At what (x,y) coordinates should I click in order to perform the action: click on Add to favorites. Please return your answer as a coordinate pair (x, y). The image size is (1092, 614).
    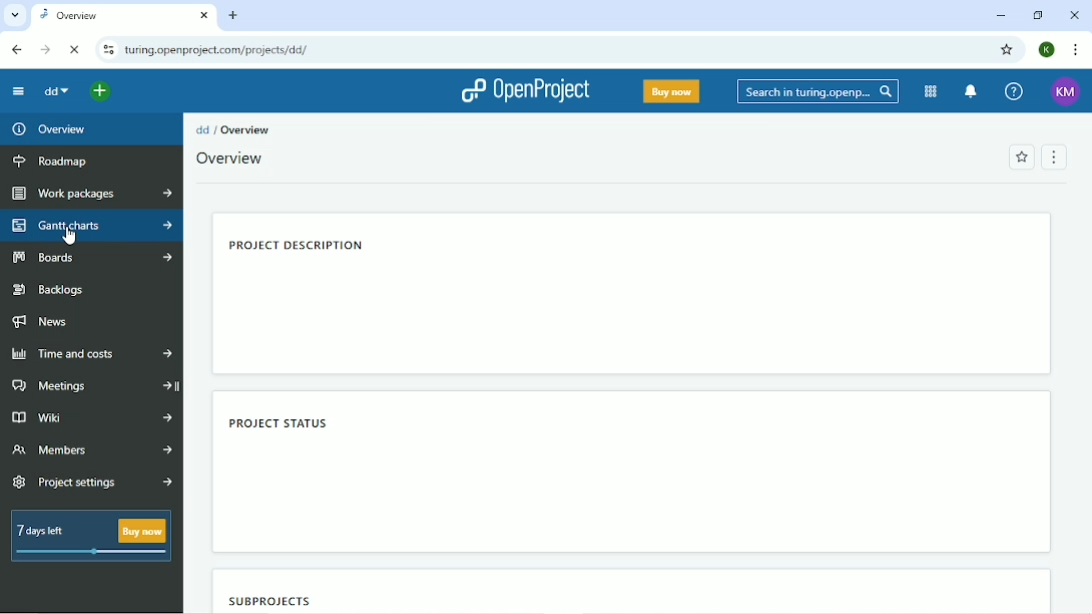
    Looking at the image, I should click on (1020, 157).